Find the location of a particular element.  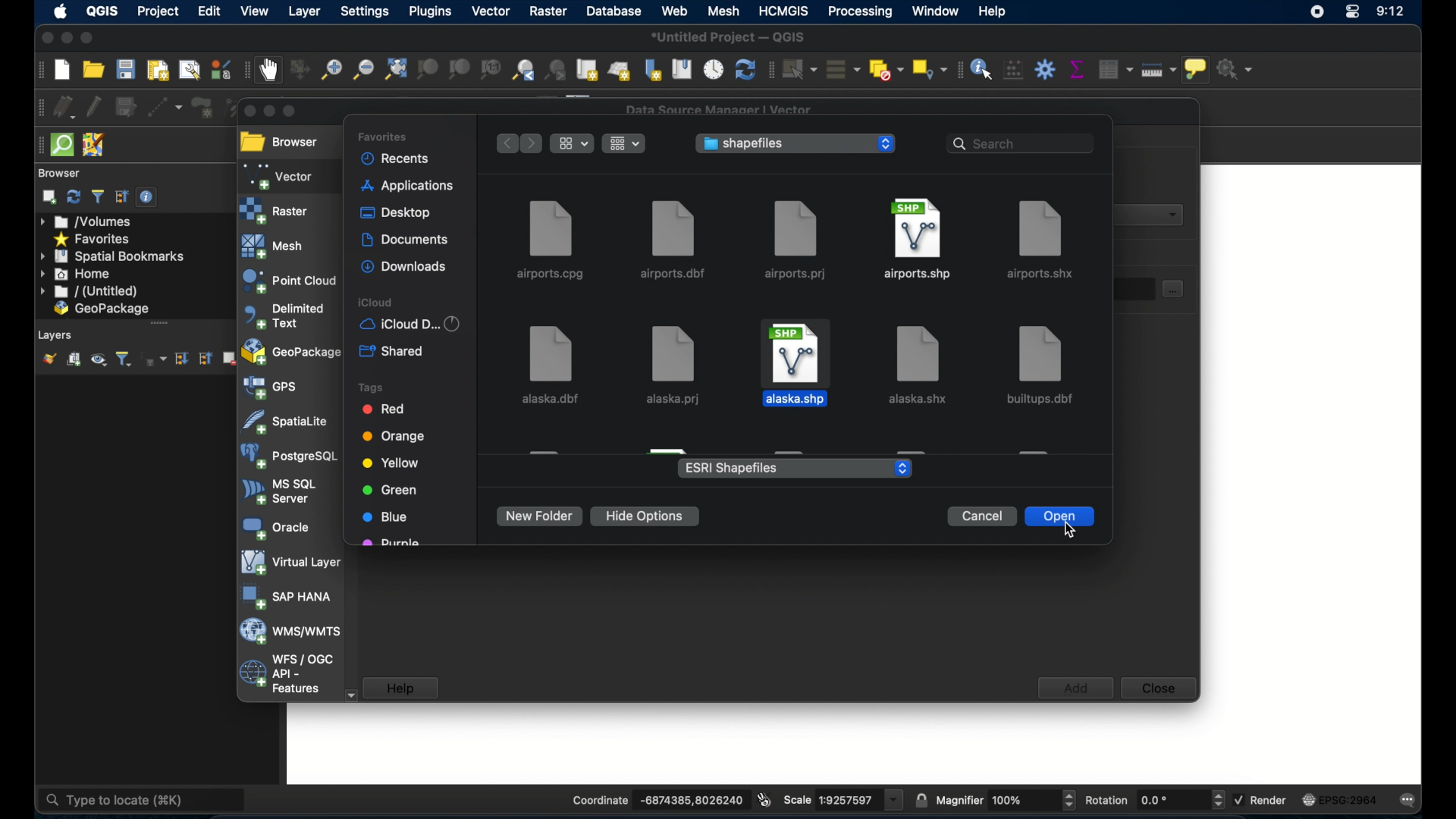

green is located at coordinates (391, 491).